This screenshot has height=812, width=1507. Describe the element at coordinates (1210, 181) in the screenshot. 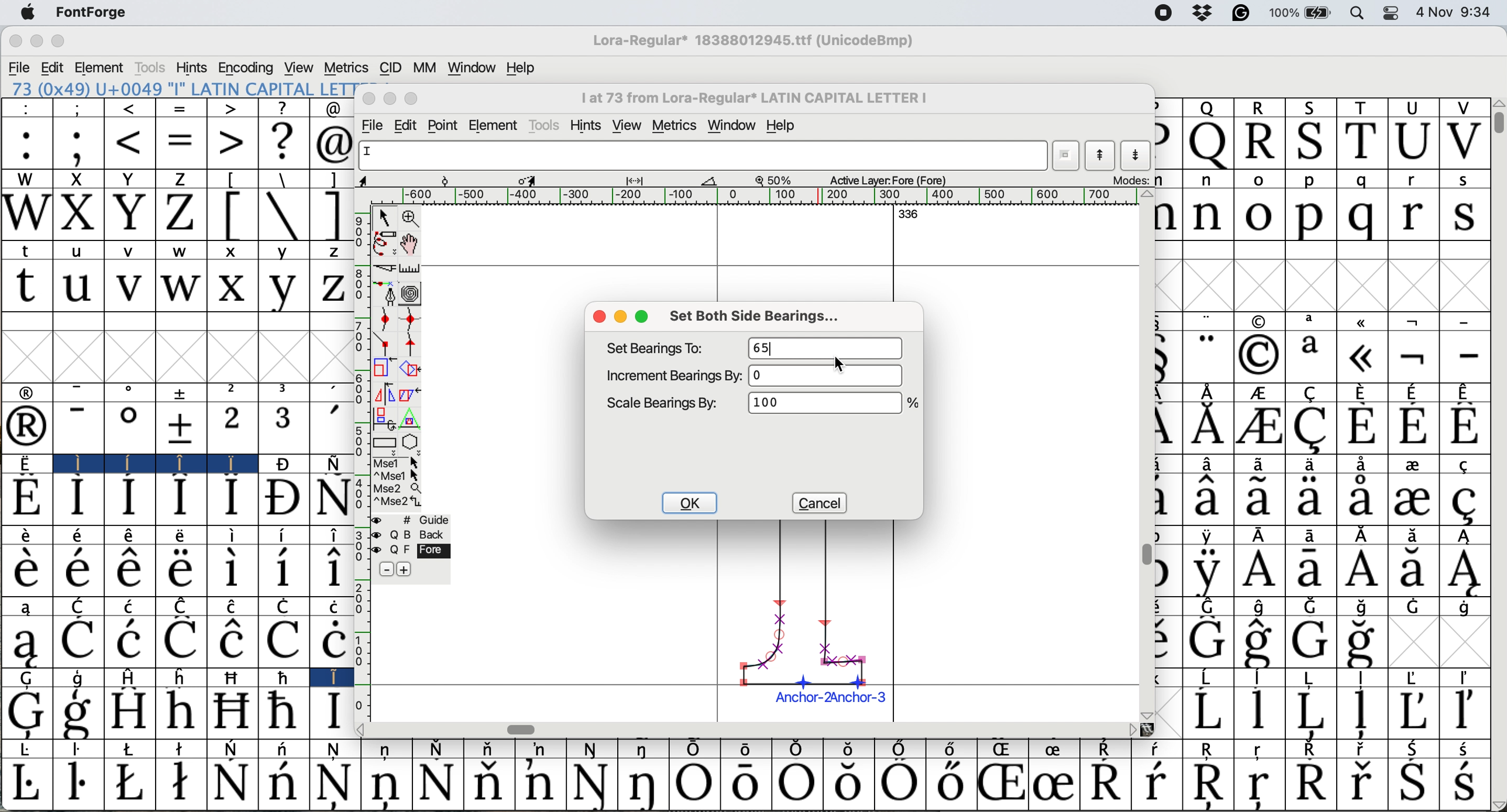

I see `n` at that location.